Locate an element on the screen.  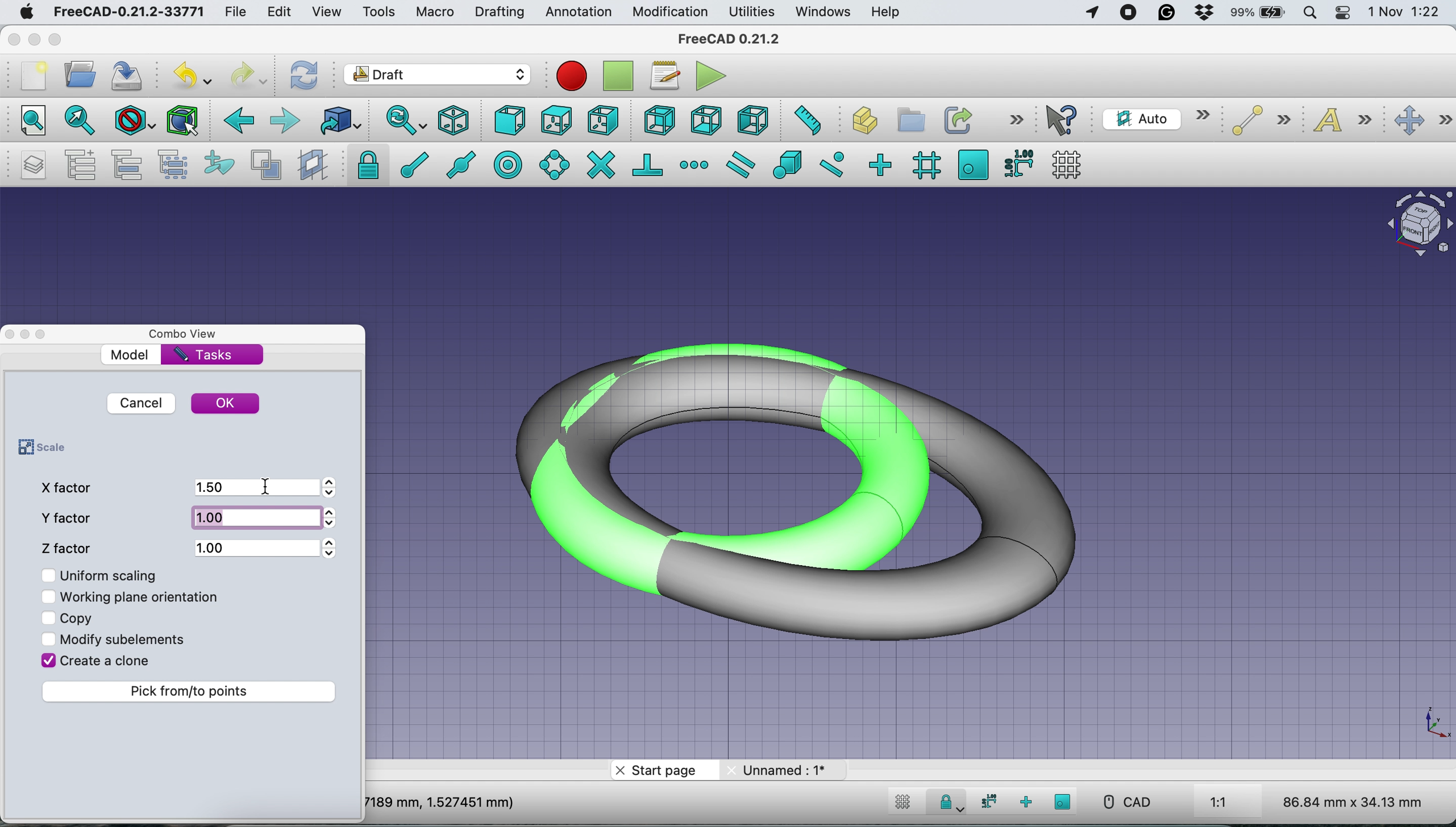
snap endpoint is located at coordinates (411, 164).